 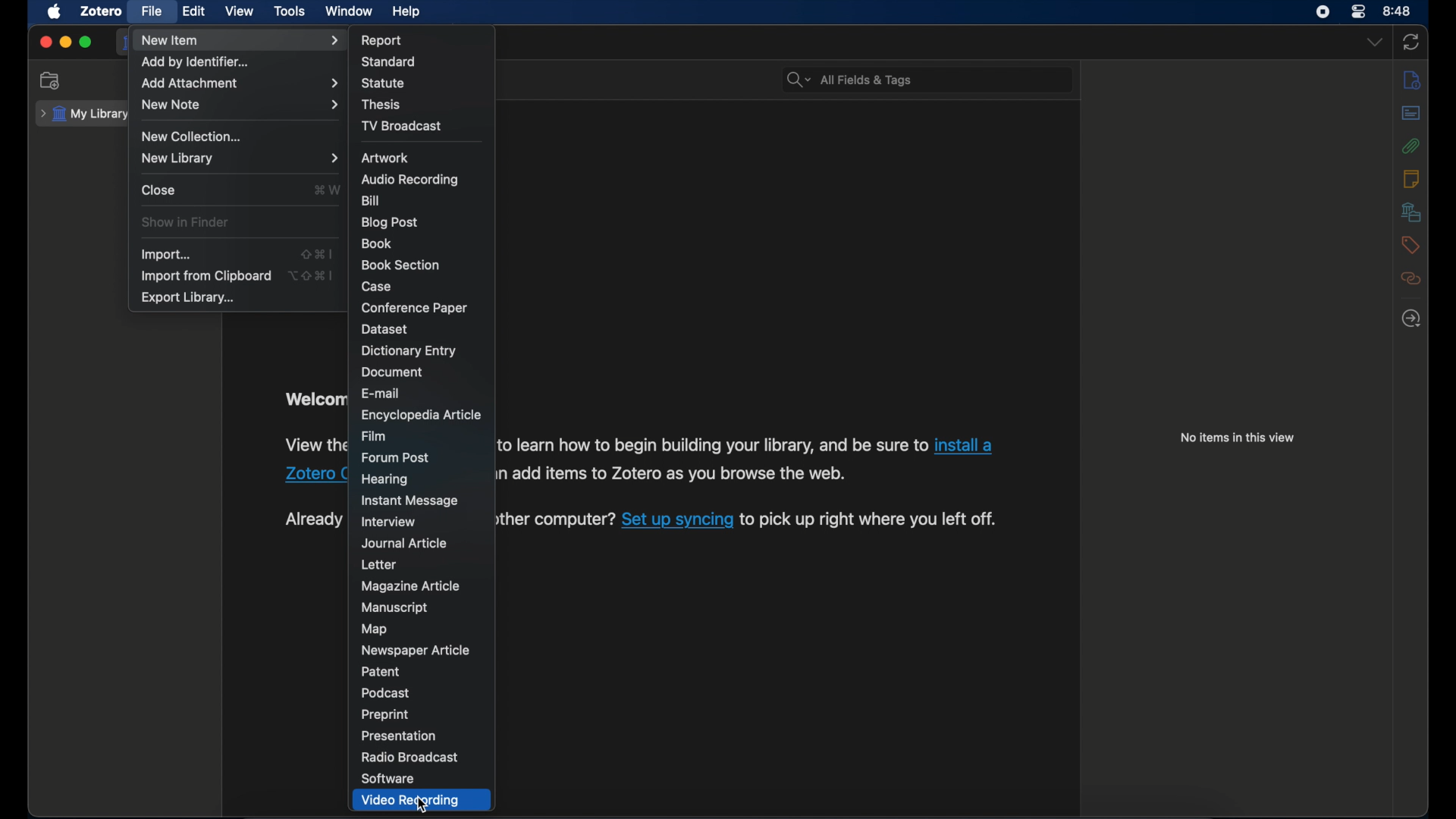 What do you see at coordinates (238, 11) in the screenshot?
I see `view` at bounding box center [238, 11].